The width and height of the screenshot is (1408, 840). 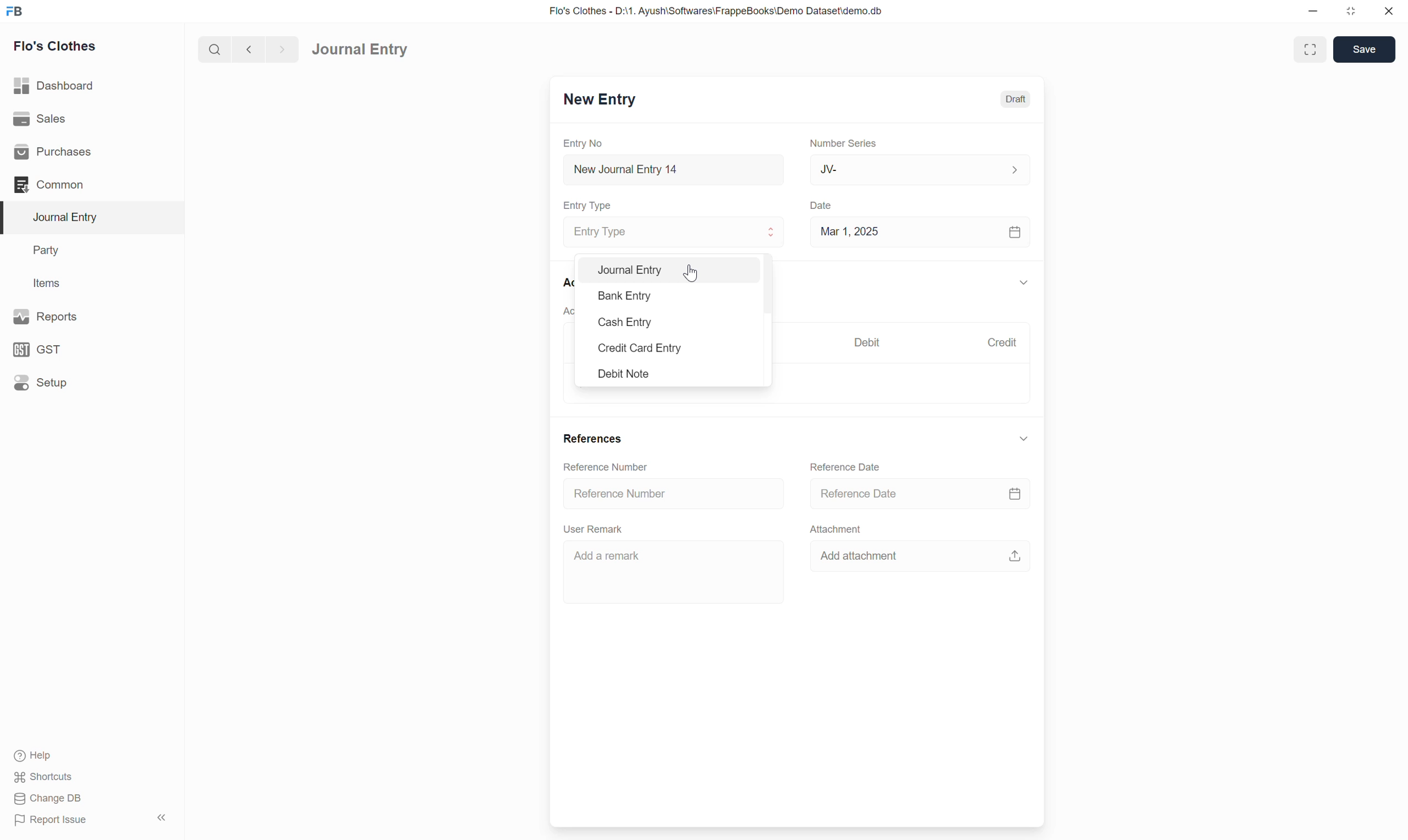 What do you see at coordinates (39, 350) in the screenshot?
I see `GST` at bounding box center [39, 350].